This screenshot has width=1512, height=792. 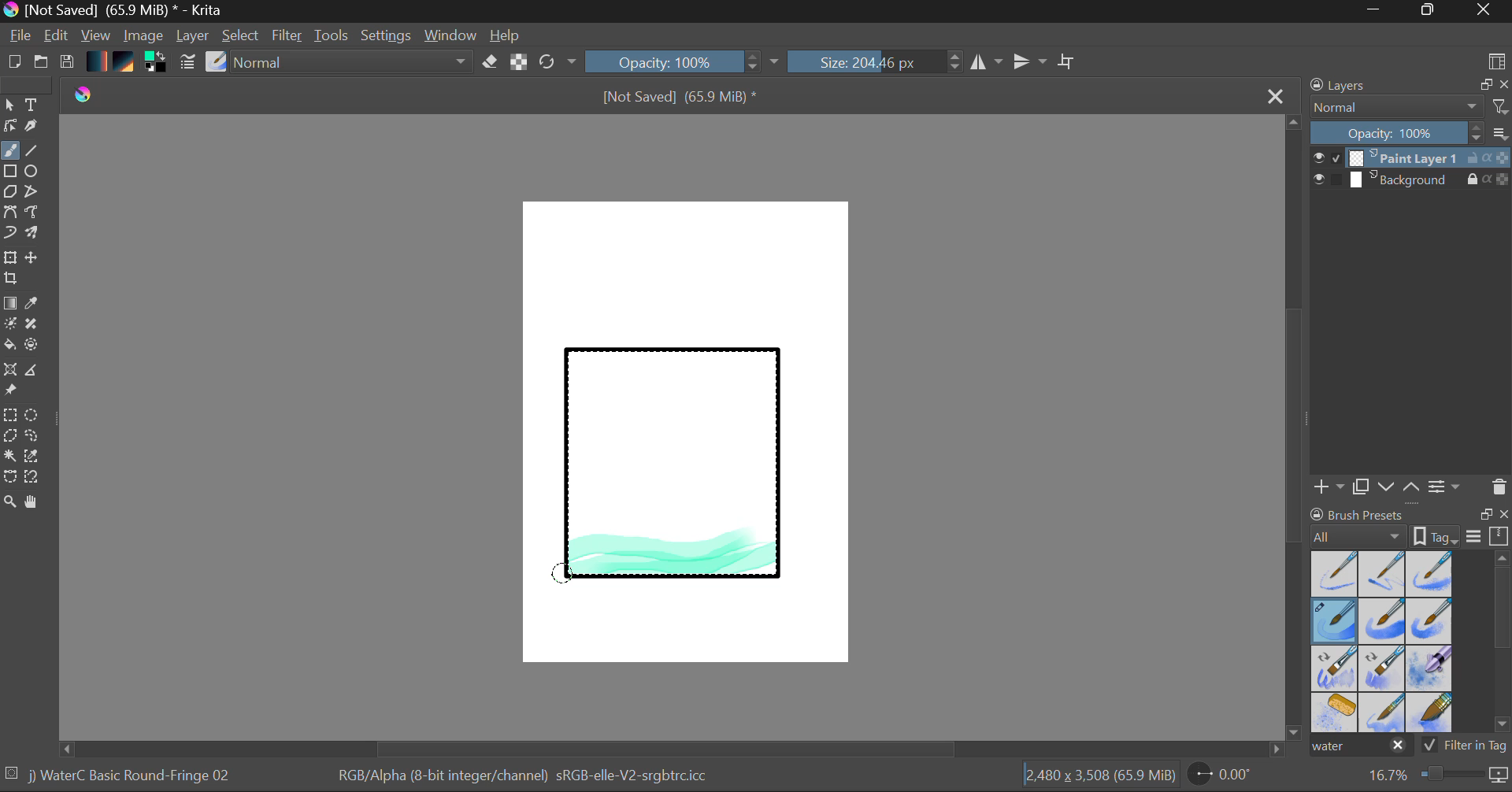 What do you see at coordinates (1336, 712) in the screenshot?
I see `Water C - Special Splats` at bounding box center [1336, 712].